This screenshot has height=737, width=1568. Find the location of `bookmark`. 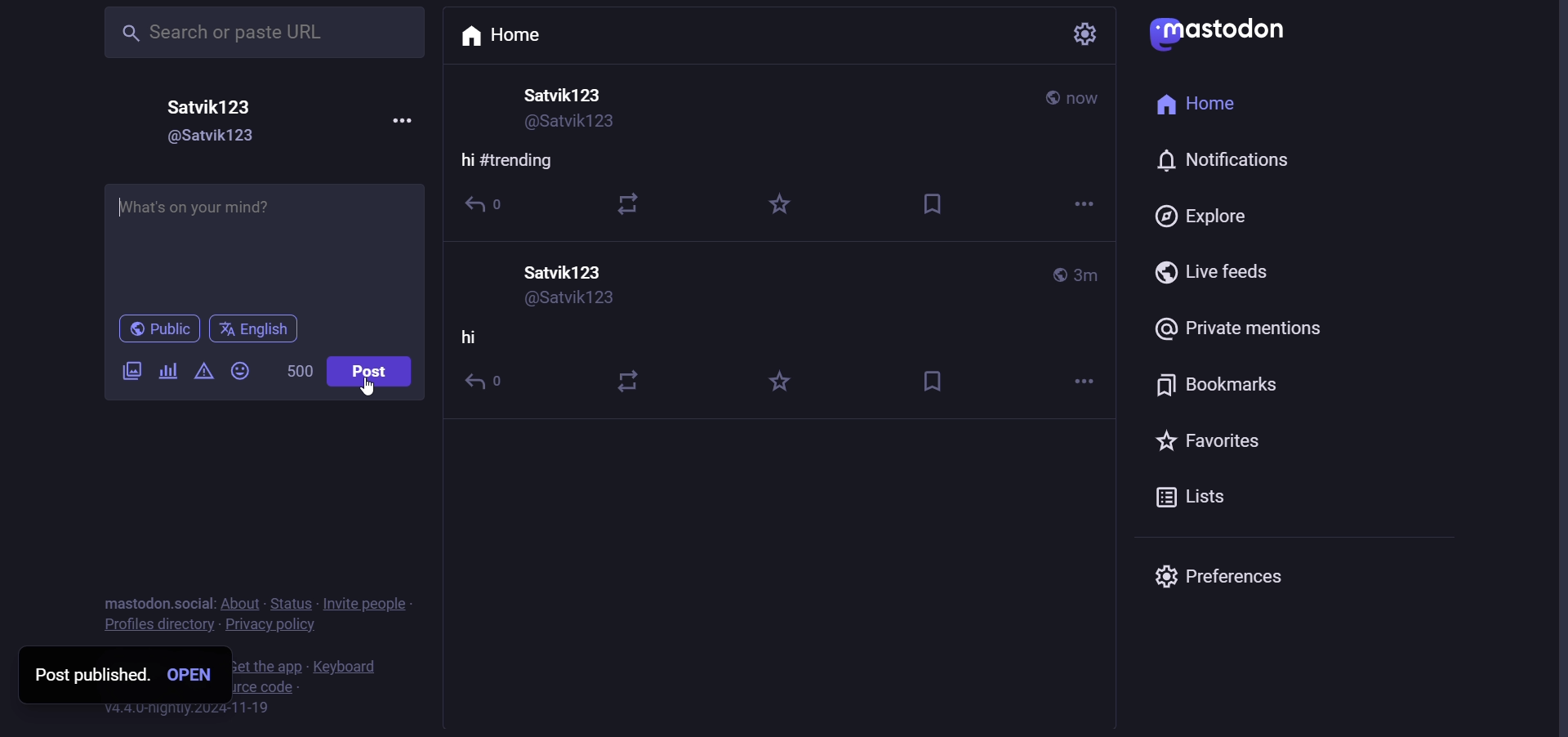

bookmark is located at coordinates (1223, 386).